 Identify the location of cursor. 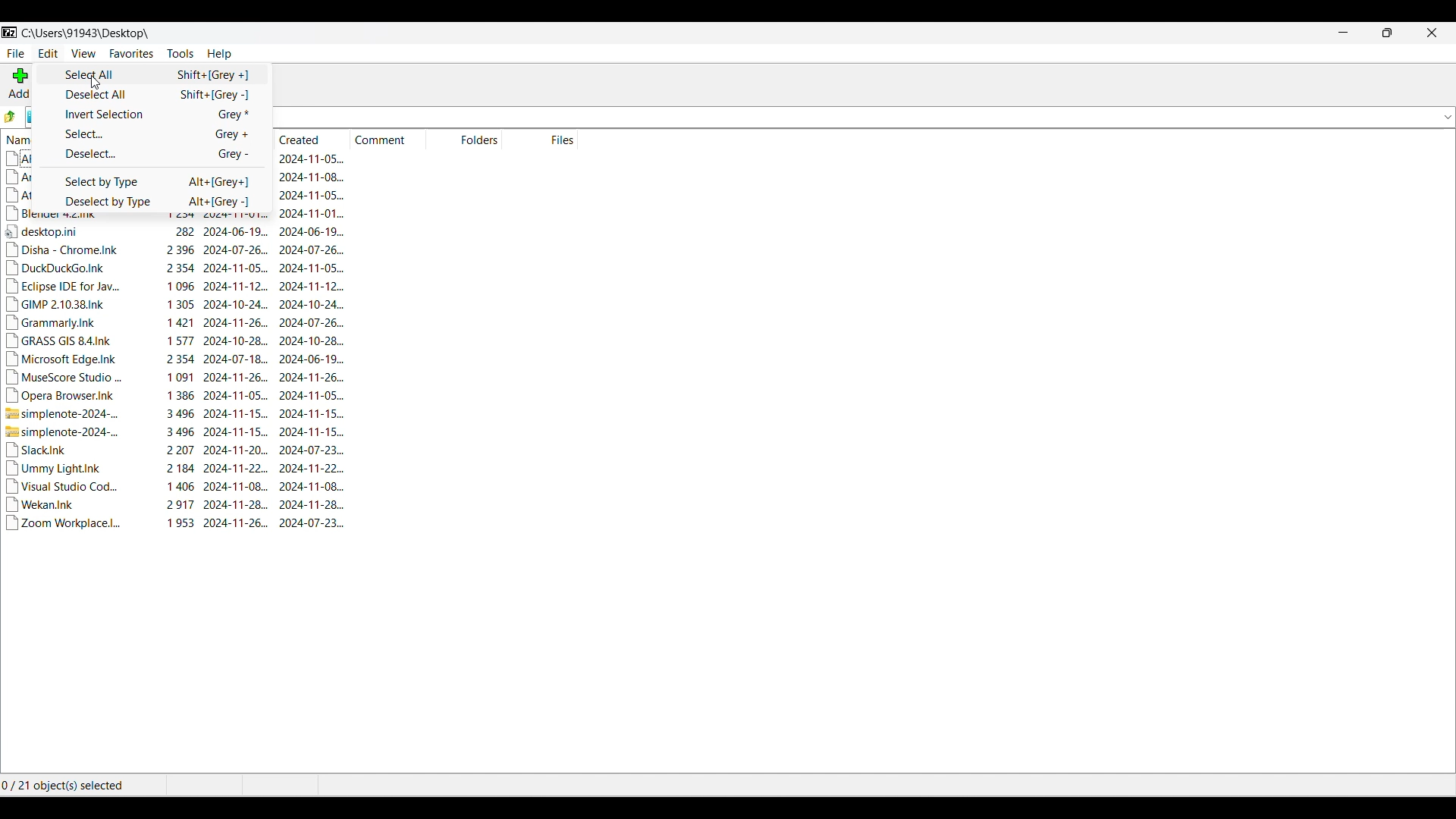
(99, 83).